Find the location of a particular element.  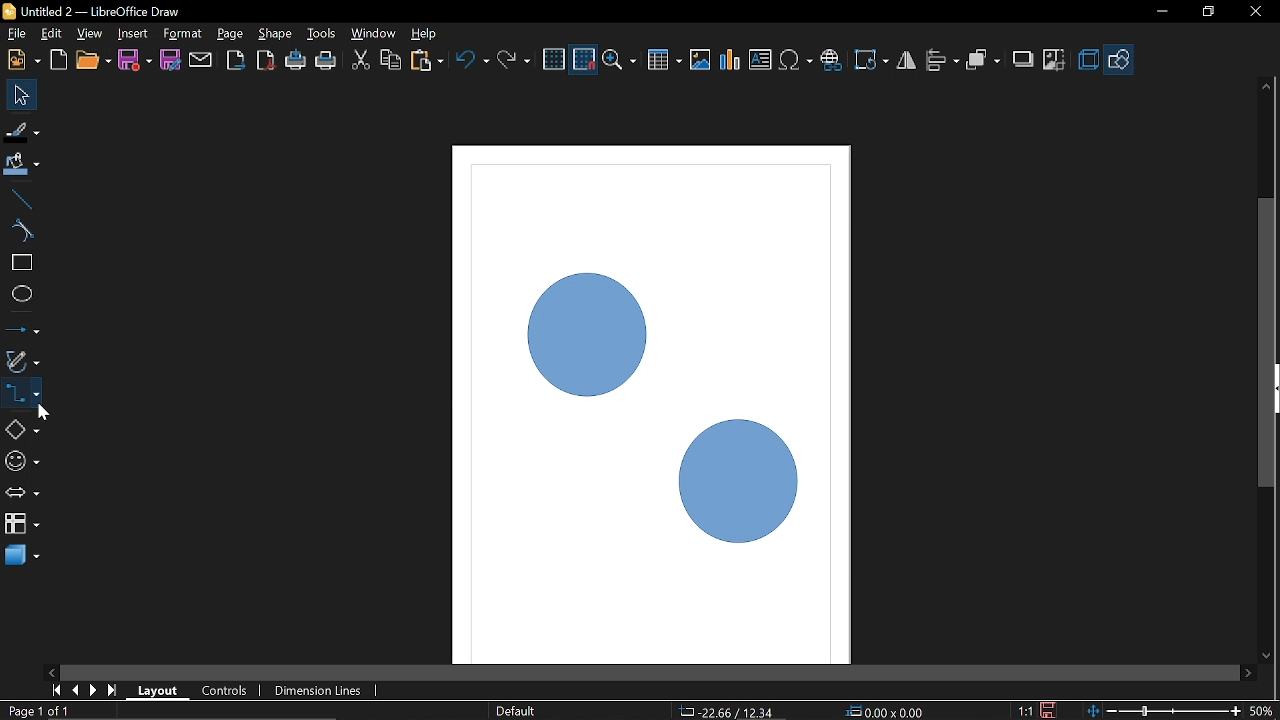

Move up is located at coordinates (1267, 86).